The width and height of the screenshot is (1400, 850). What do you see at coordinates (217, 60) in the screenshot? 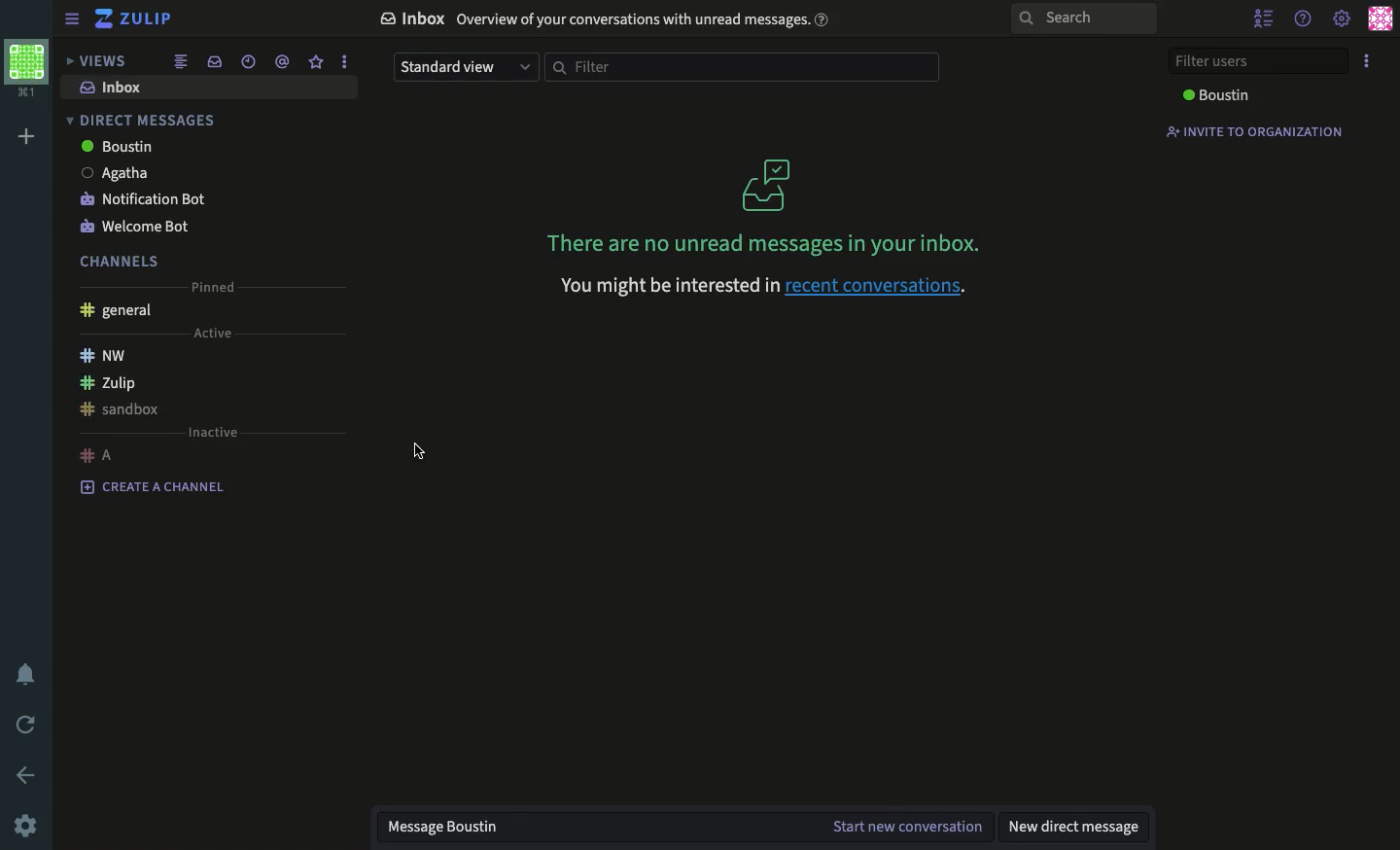
I see `inbox` at bounding box center [217, 60].